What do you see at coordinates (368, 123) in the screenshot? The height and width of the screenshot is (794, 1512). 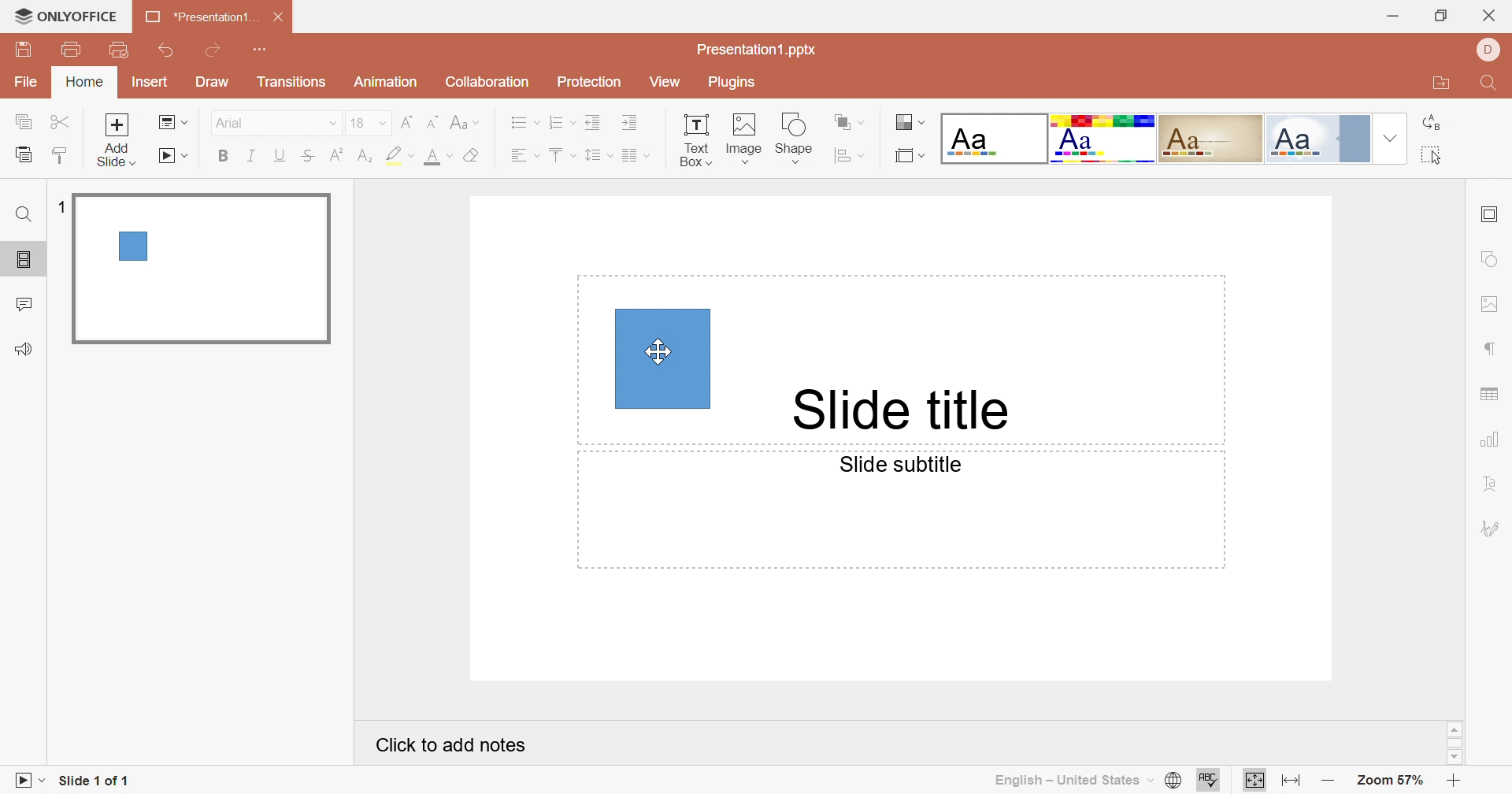 I see `13` at bounding box center [368, 123].